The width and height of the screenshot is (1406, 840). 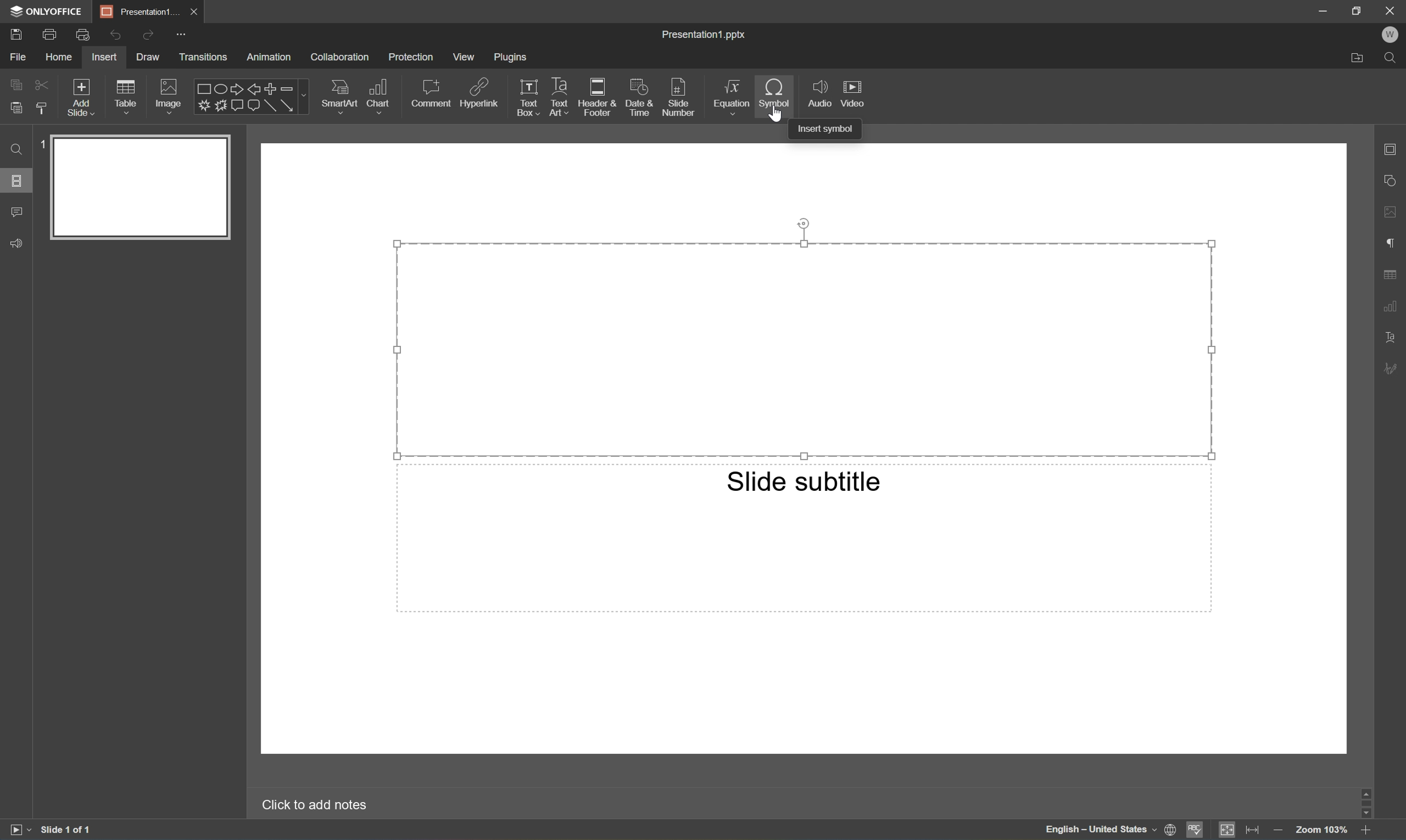 What do you see at coordinates (1392, 368) in the screenshot?
I see `Signature settings` at bounding box center [1392, 368].